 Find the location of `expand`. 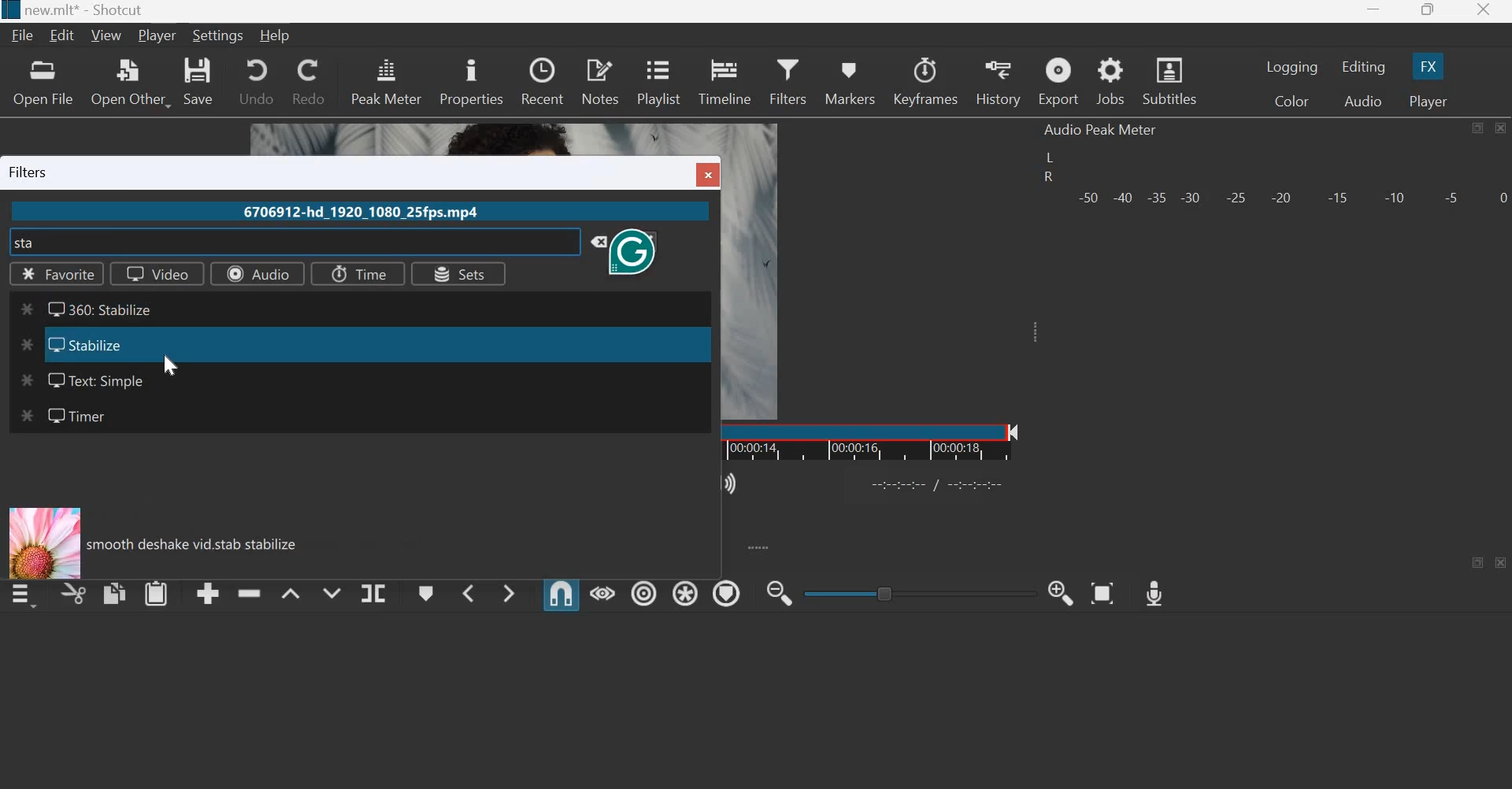

expand is located at coordinates (766, 547).